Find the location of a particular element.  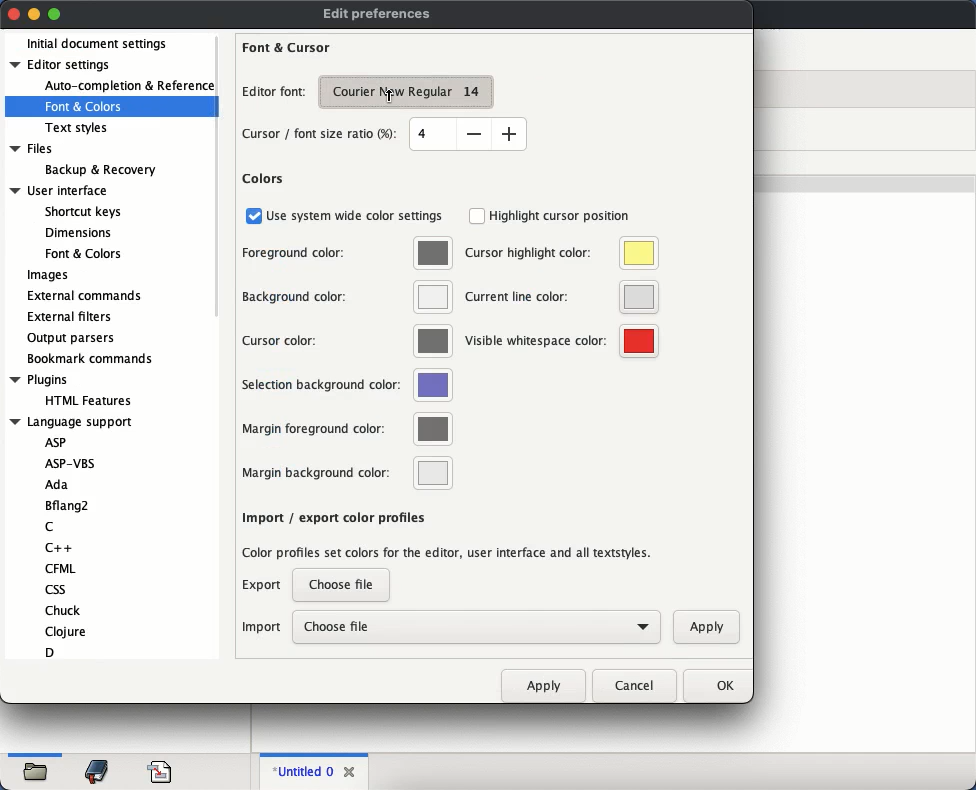

files is located at coordinates (34, 150).